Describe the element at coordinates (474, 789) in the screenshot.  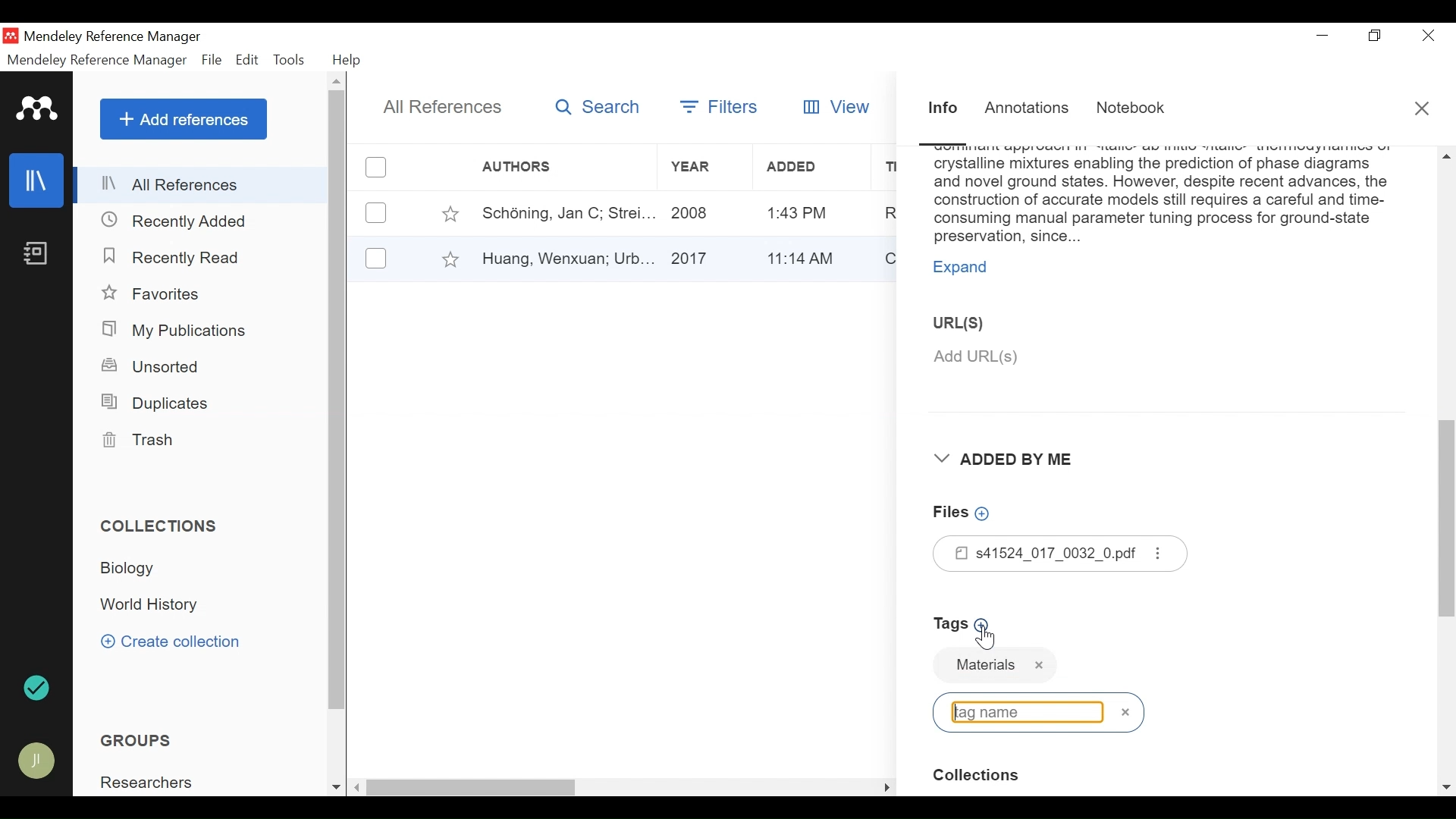
I see `Vertical Scroll bar` at that location.